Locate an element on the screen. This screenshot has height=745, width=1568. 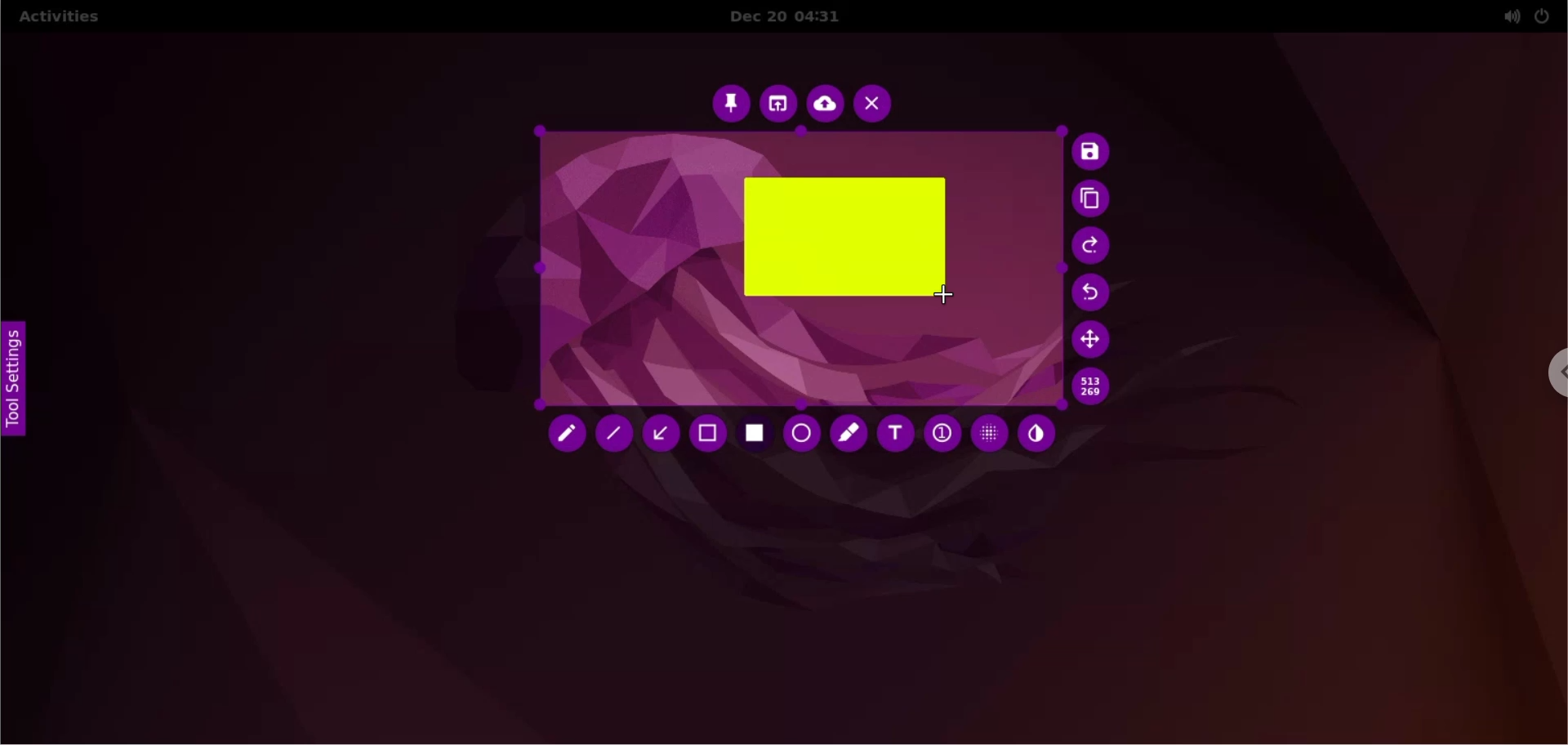
copy to clipboard is located at coordinates (1094, 200).